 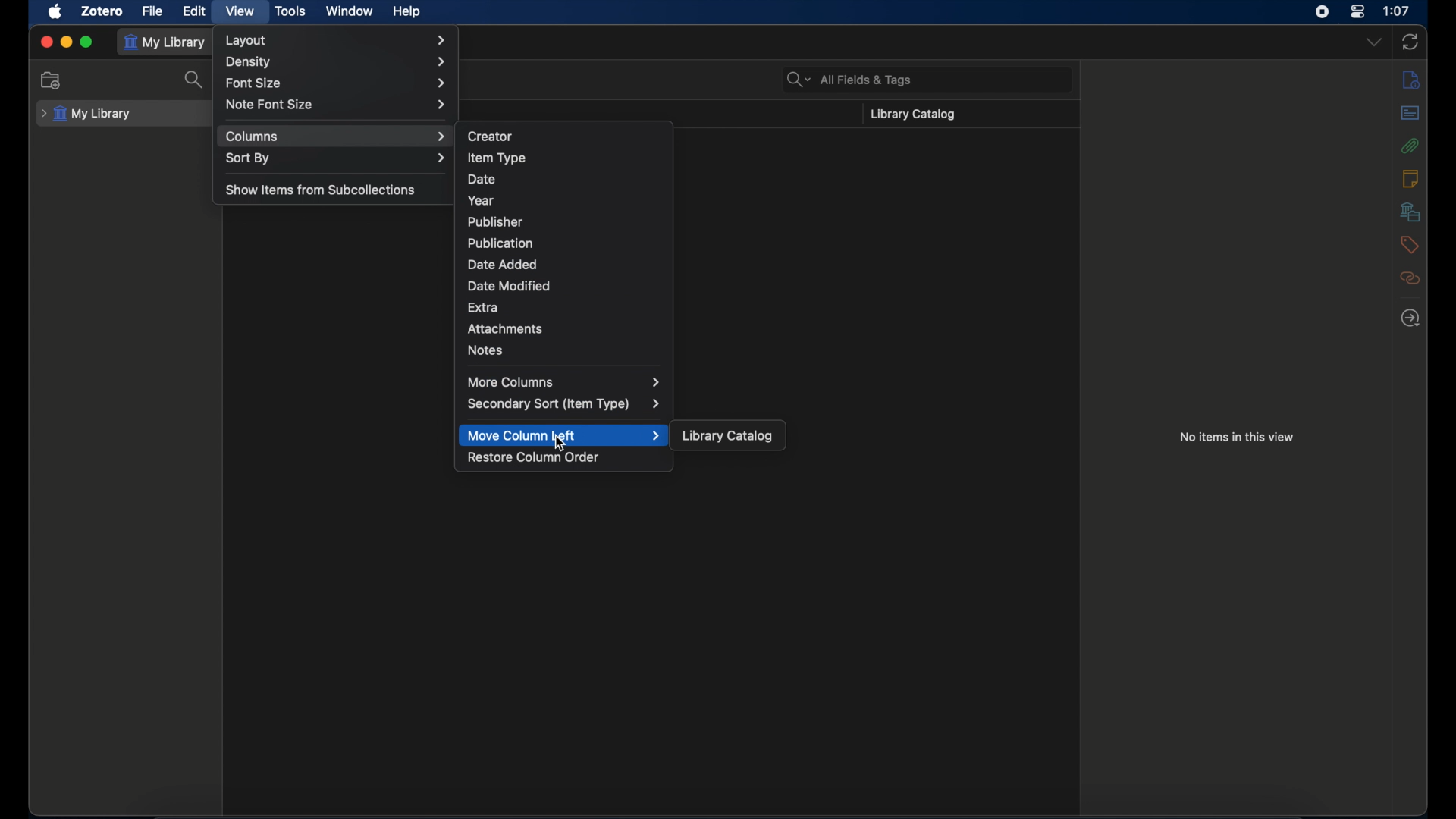 I want to click on my library, so click(x=86, y=115).